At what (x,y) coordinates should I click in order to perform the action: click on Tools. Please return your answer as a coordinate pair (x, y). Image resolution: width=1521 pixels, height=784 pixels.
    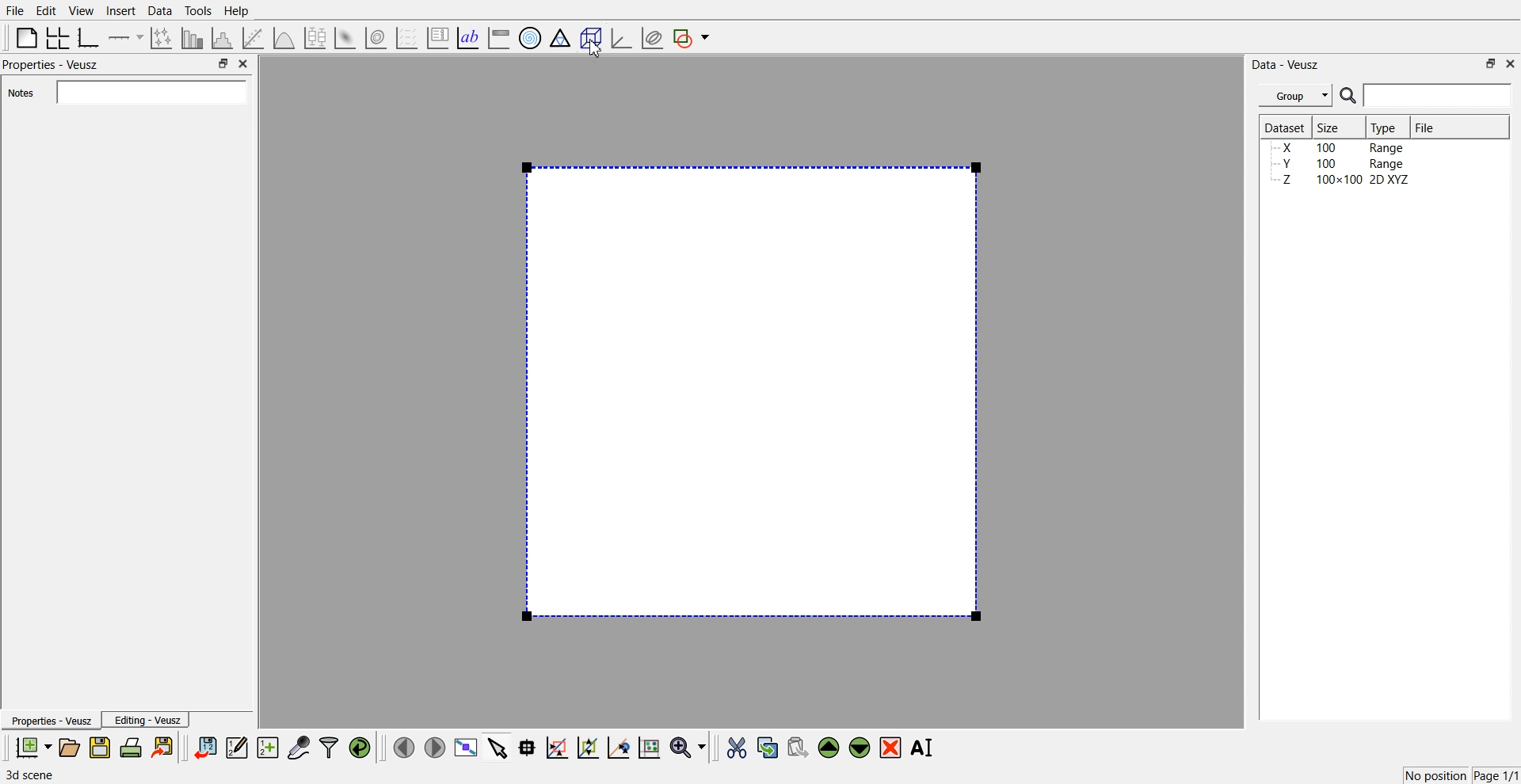
    Looking at the image, I should click on (199, 11).